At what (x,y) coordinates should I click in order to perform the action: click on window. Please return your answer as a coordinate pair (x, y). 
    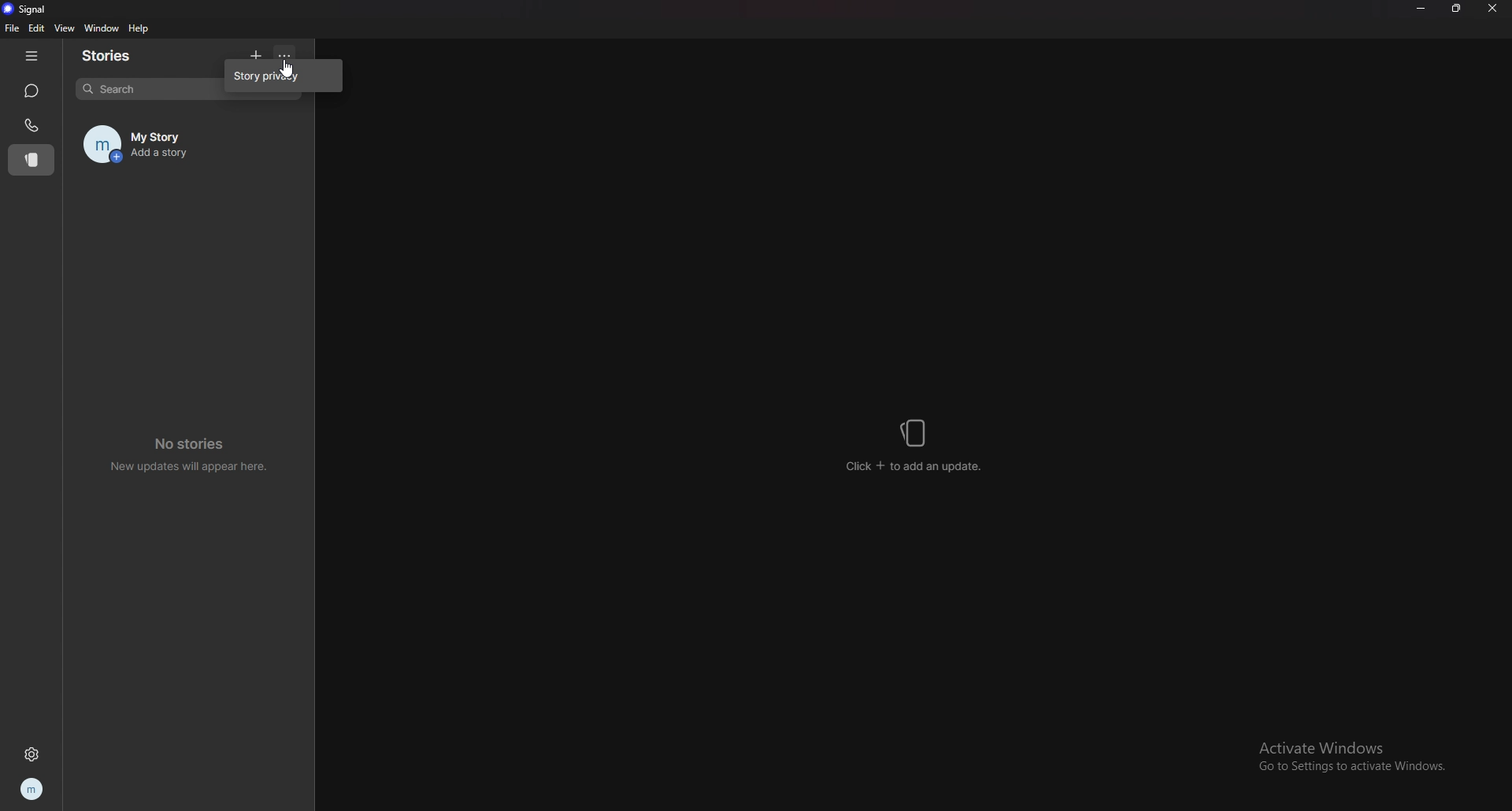
    Looking at the image, I should click on (102, 28).